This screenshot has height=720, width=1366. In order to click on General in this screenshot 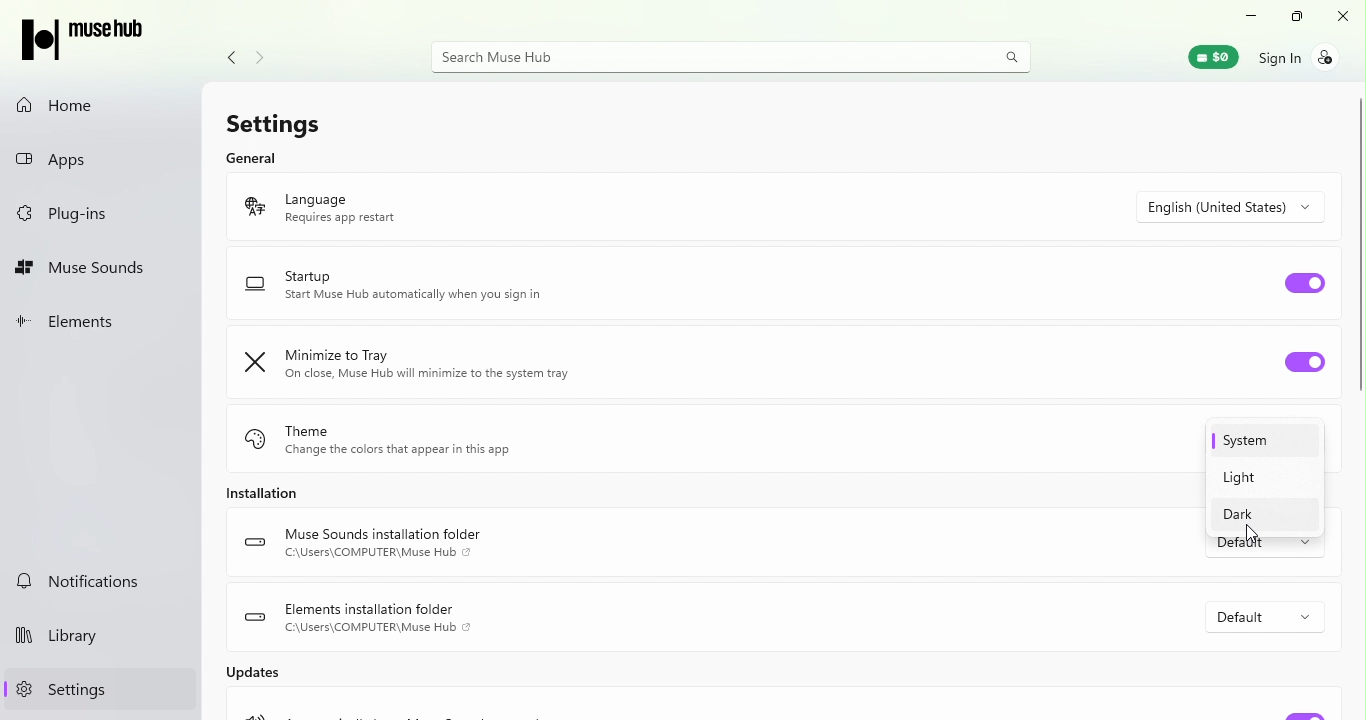, I will do `click(257, 158)`.